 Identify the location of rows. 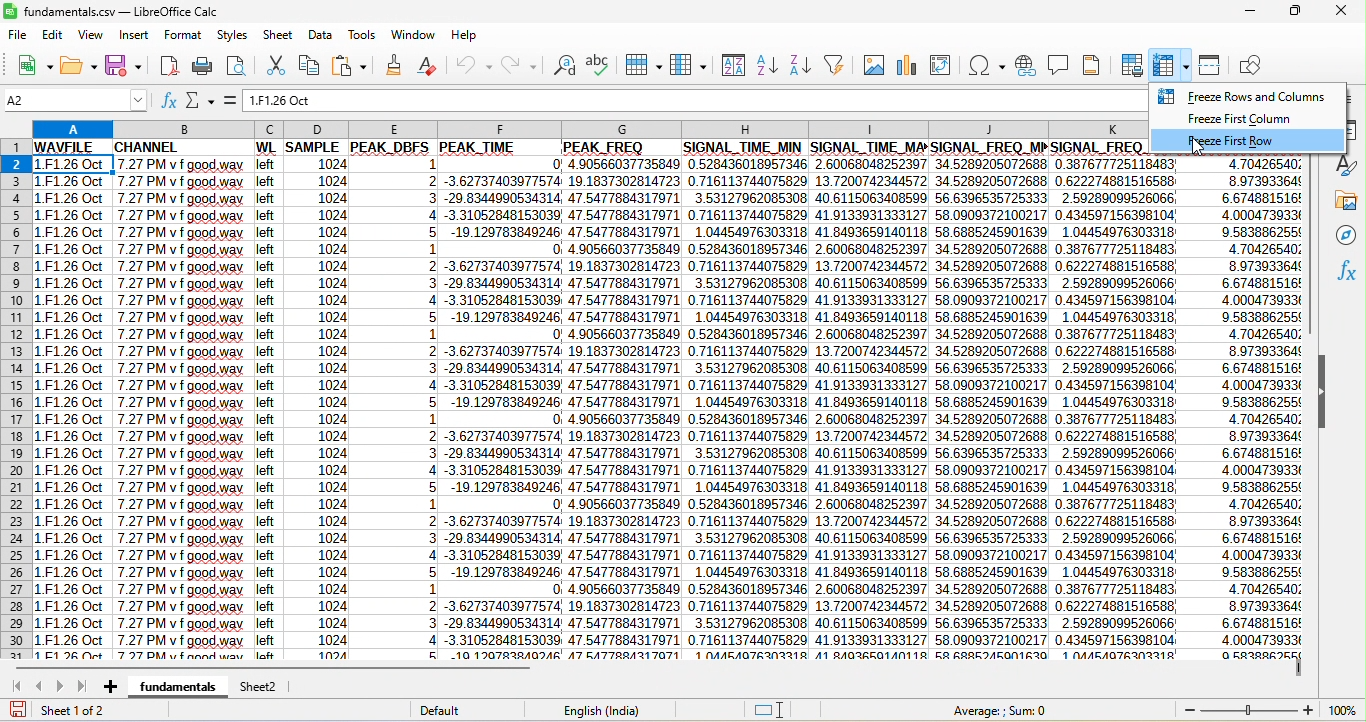
(643, 64).